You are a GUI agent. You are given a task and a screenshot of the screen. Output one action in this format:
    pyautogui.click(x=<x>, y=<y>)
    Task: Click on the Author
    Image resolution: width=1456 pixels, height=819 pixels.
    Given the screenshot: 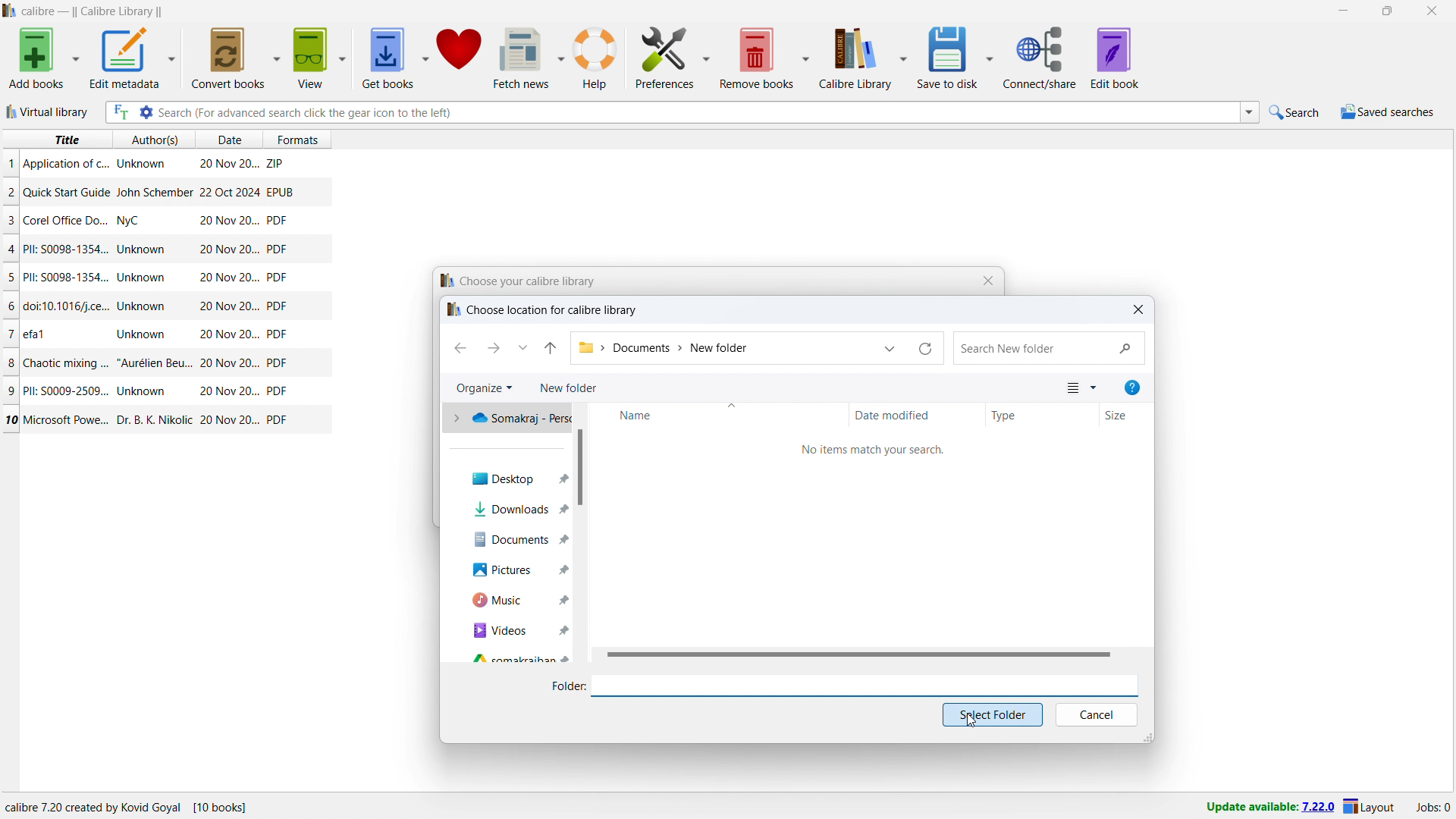 What is the action you would take?
    pyautogui.click(x=131, y=222)
    